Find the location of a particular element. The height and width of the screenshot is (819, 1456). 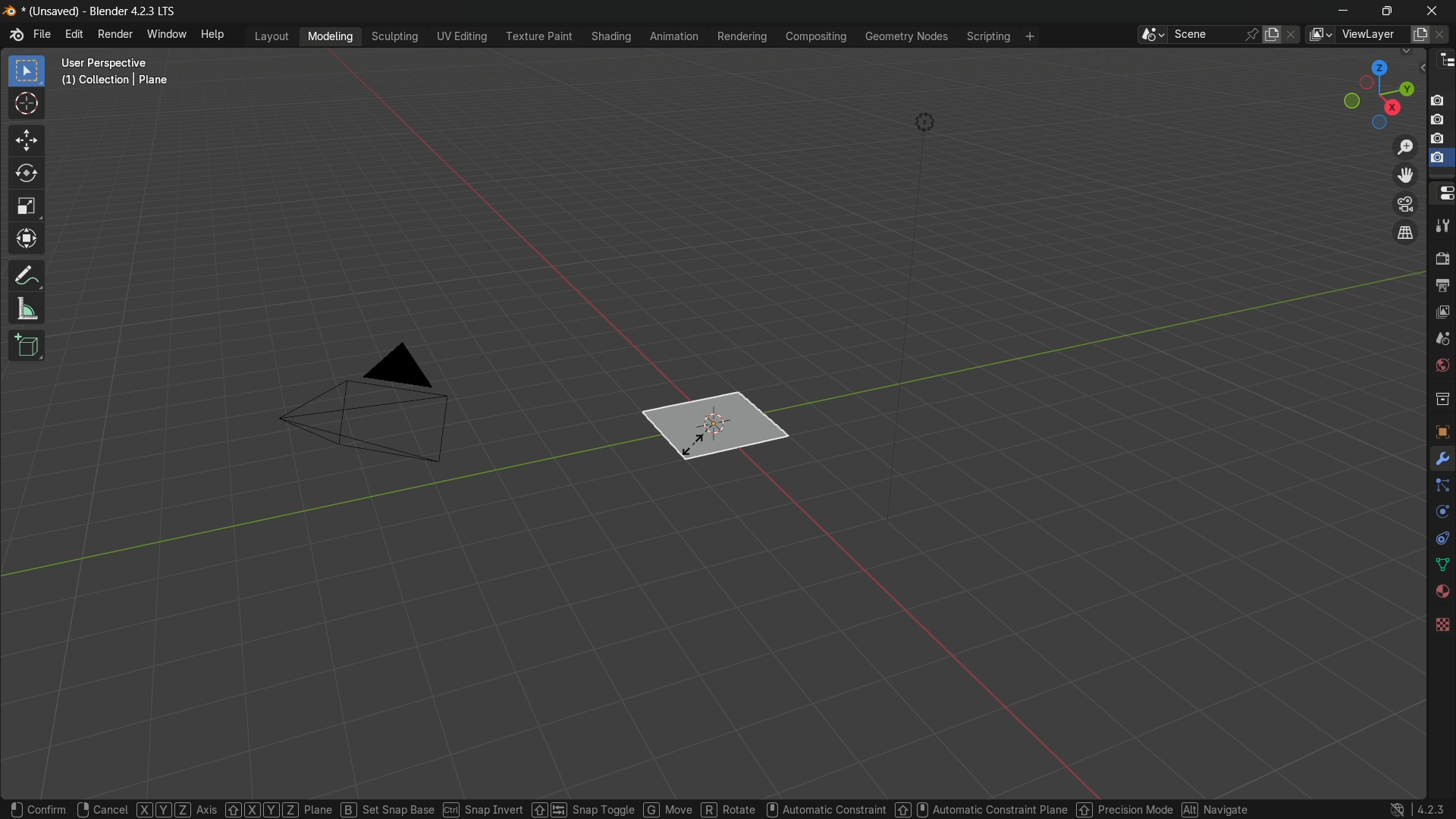

annotate is located at coordinates (26, 276).